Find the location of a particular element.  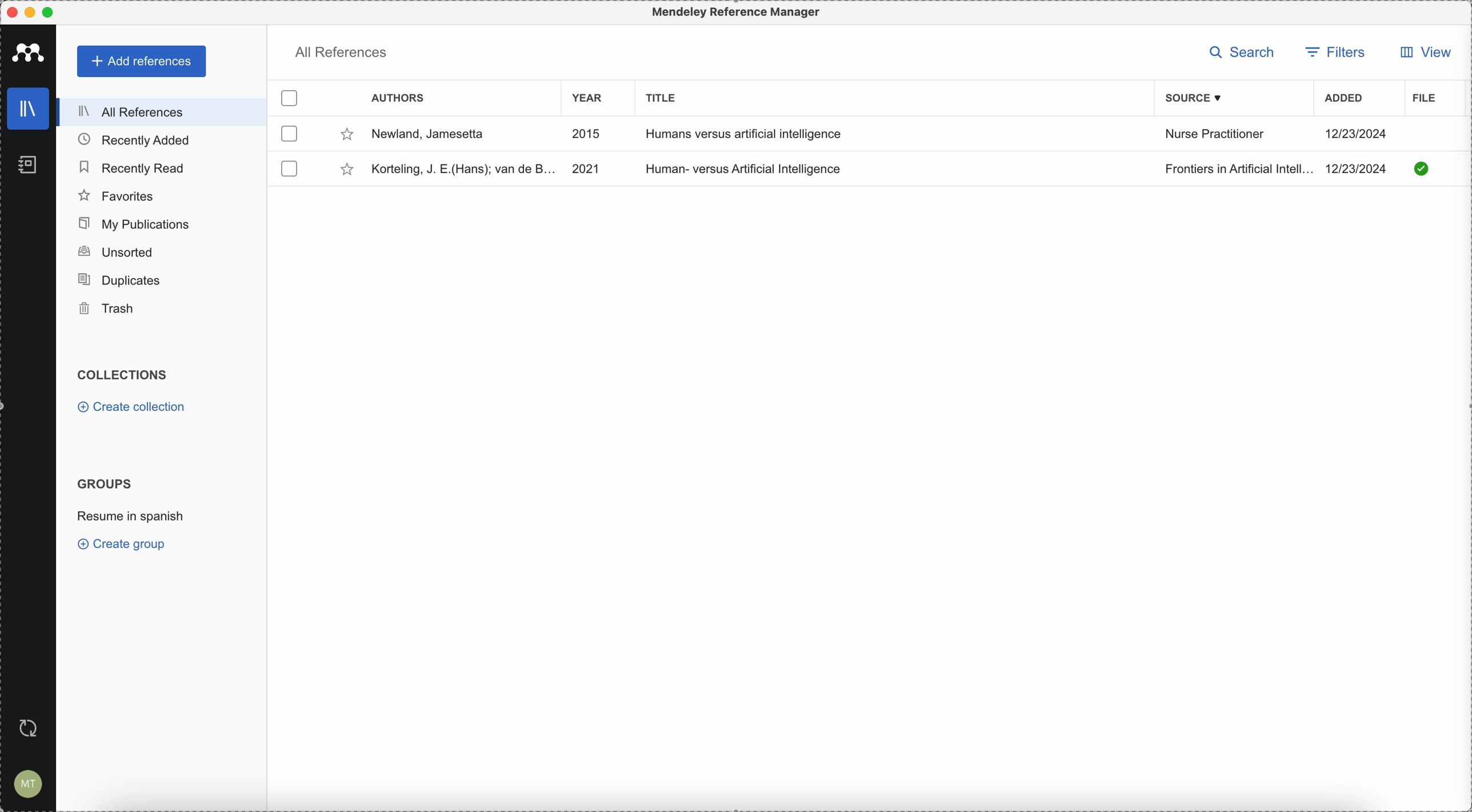

Korteling, J. E. (Hans); van de B... is located at coordinates (459, 169).